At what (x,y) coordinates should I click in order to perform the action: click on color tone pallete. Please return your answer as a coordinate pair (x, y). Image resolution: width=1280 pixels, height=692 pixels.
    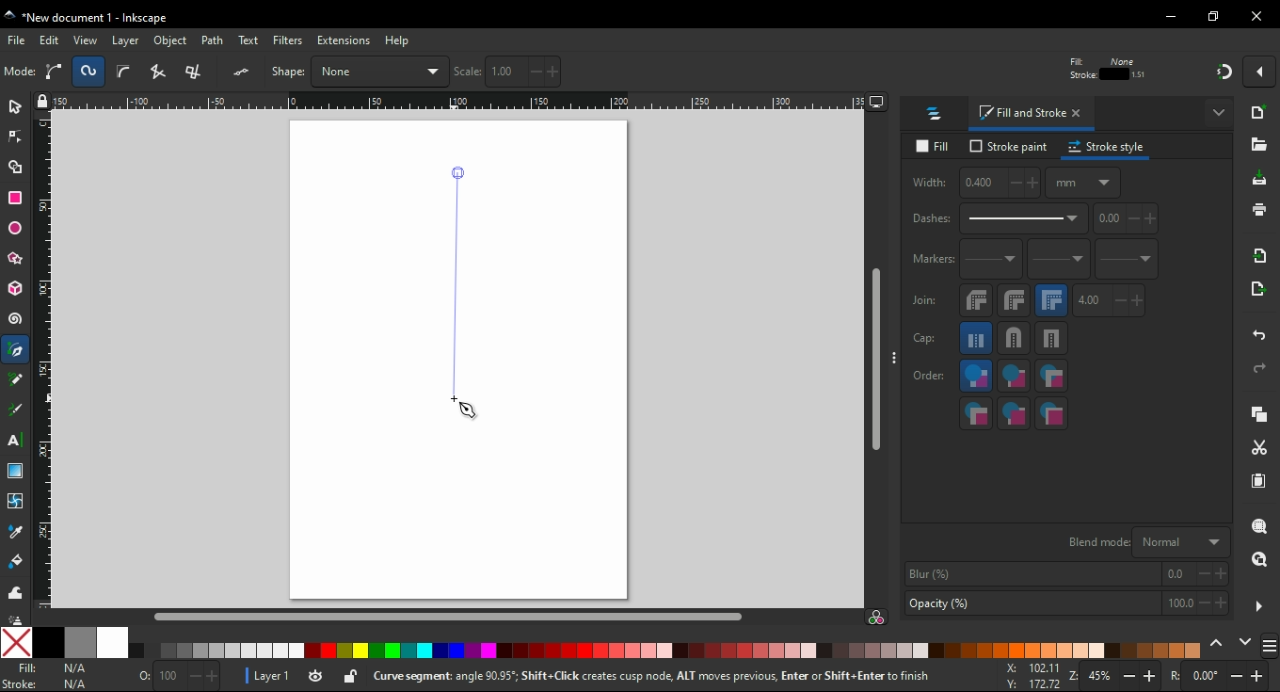
    Looking at the image, I should click on (403, 651).